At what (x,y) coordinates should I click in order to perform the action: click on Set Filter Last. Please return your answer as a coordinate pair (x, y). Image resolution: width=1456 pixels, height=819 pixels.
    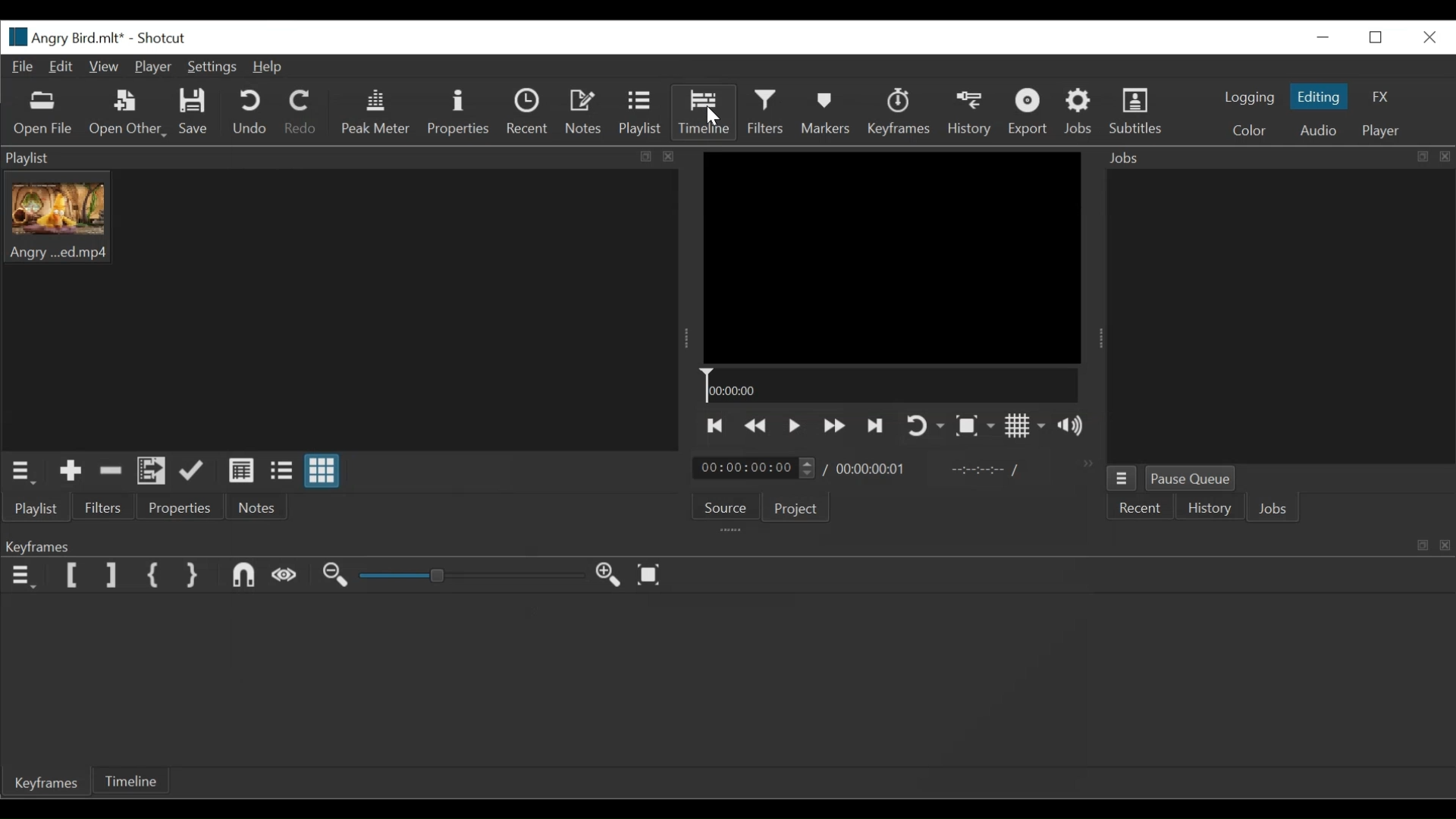
    Looking at the image, I should click on (113, 576).